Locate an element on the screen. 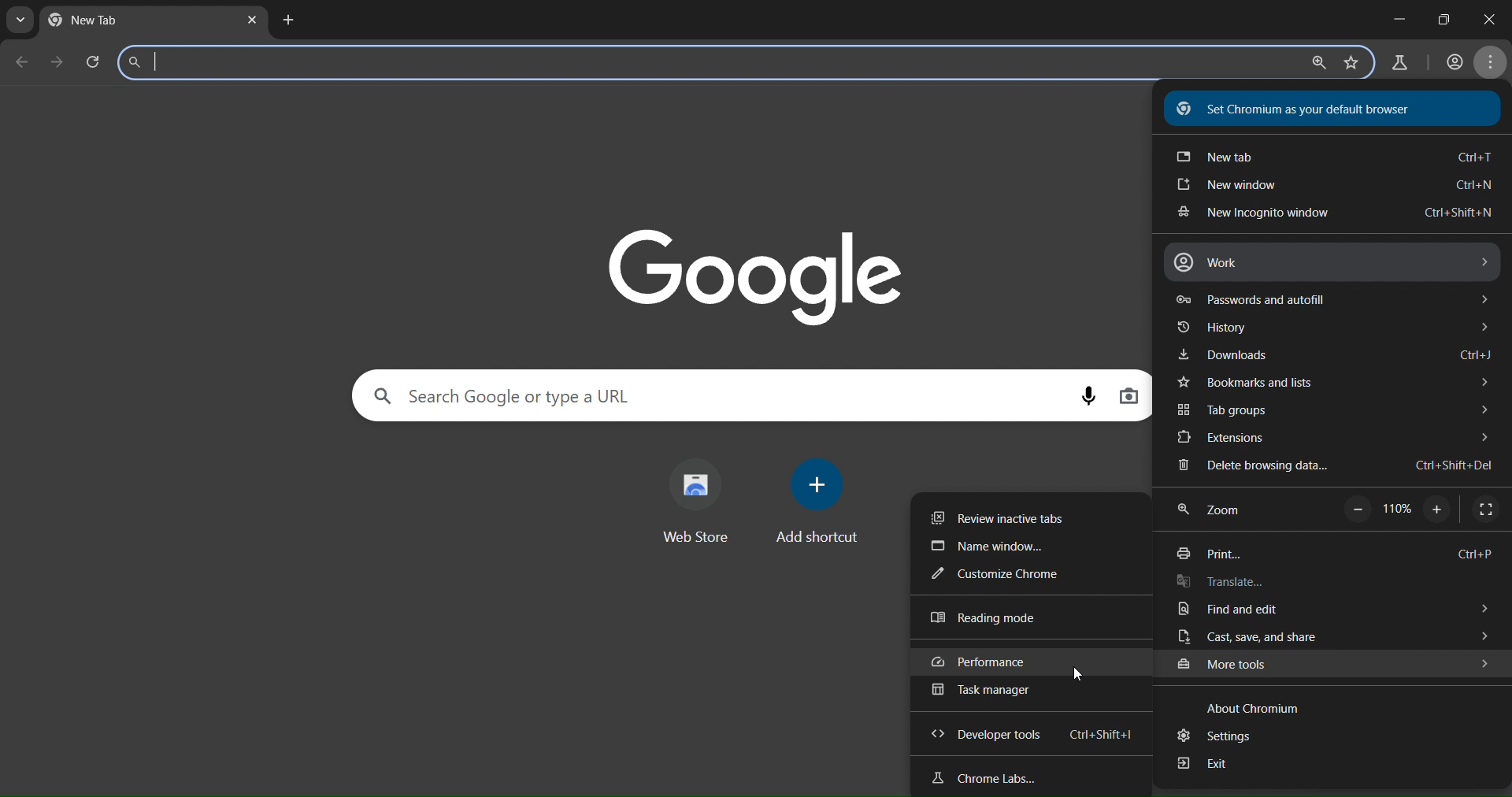  work is located at coordinates (1329, 261).